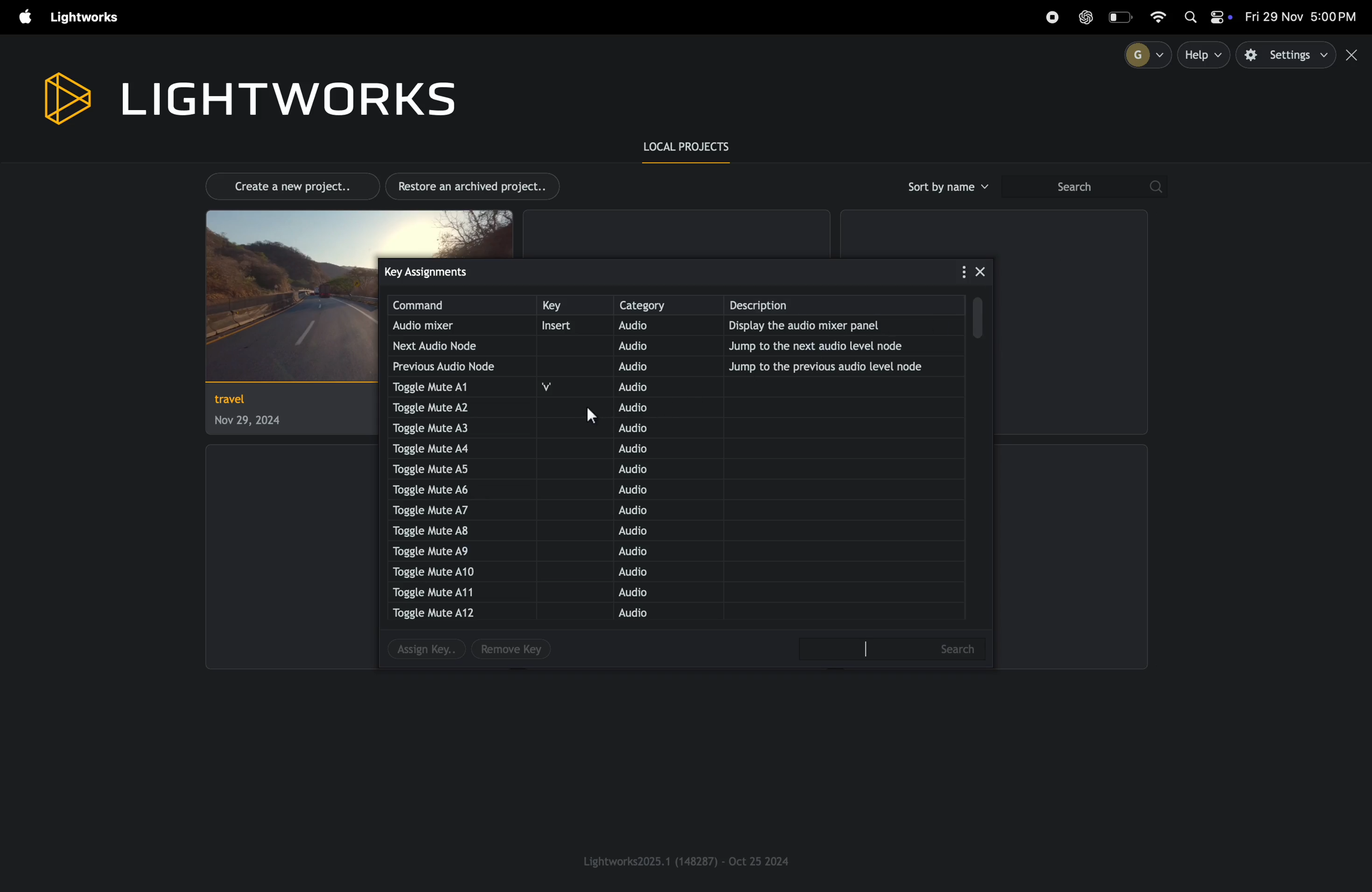  Describe the element at coordinates (442, 591) in the screenshot. I see `toggle mute A11` at that location.